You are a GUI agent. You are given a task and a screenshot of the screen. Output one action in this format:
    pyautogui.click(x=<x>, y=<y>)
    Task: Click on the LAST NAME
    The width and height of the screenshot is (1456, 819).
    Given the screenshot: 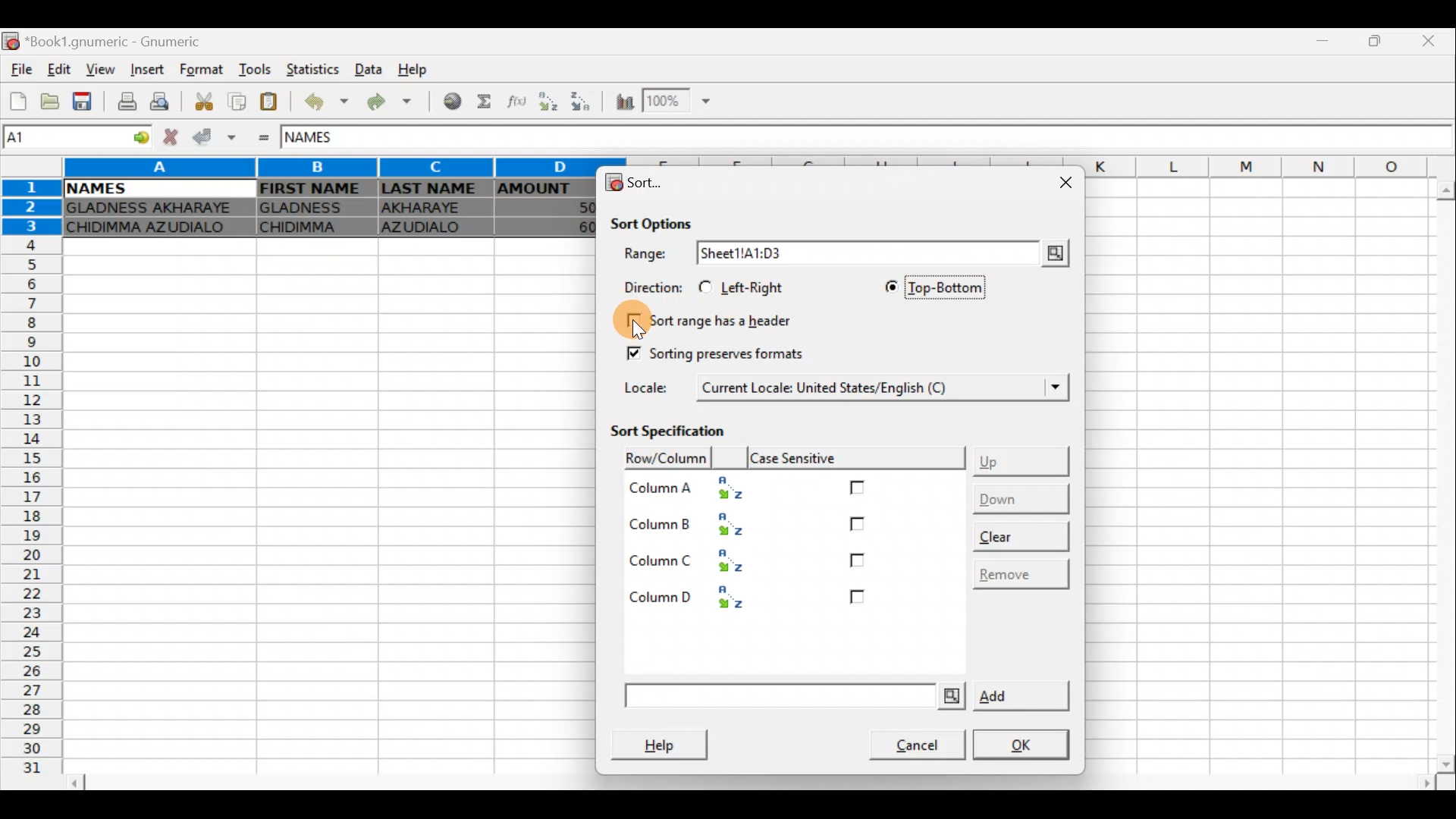 What is the action you would take?
    pyautogui.click(x=433, y=190)
    